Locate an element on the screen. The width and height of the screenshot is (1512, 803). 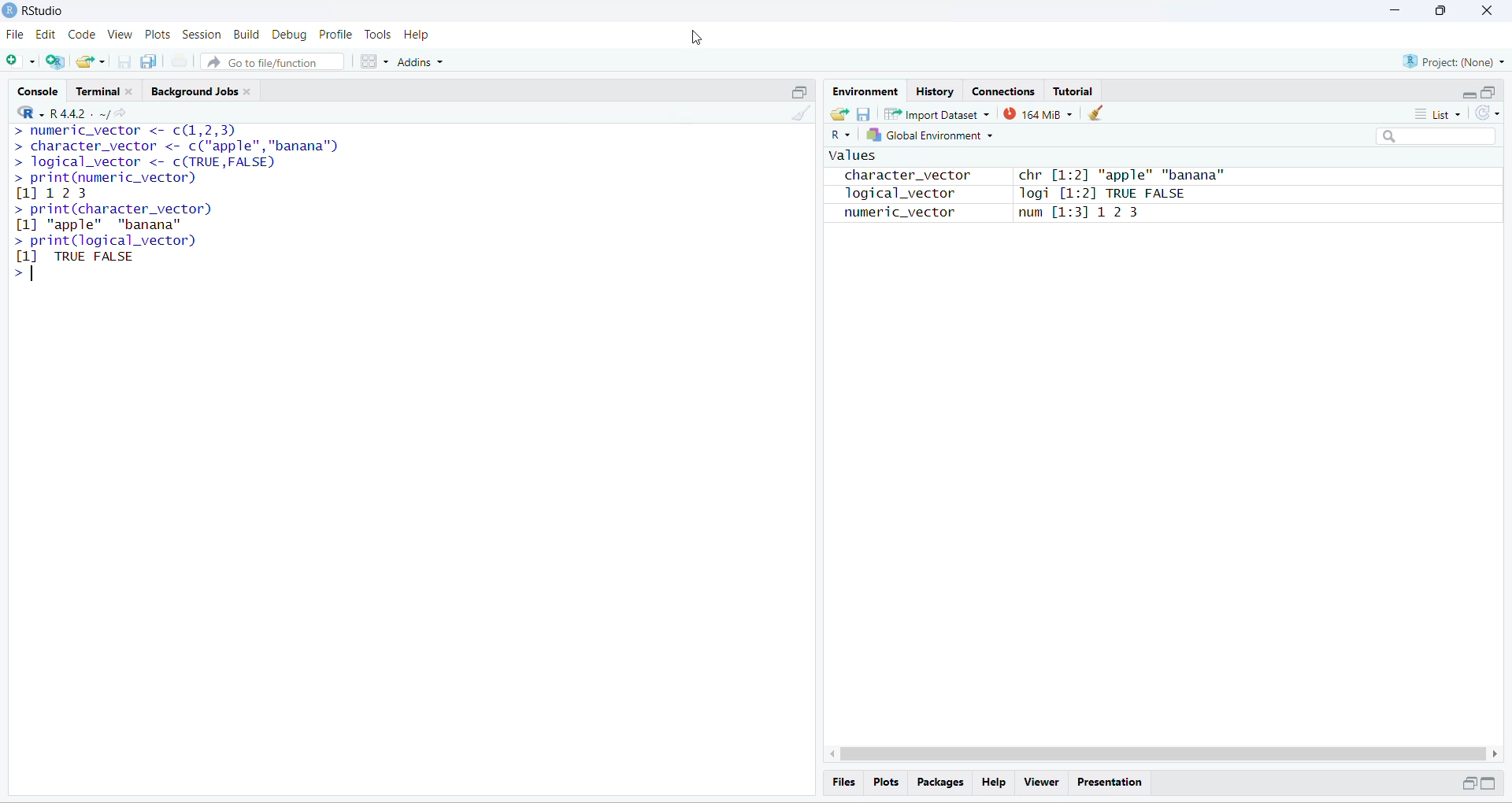
‘character_vector <- c("apple","banana") is located at coordinates (176, 146).